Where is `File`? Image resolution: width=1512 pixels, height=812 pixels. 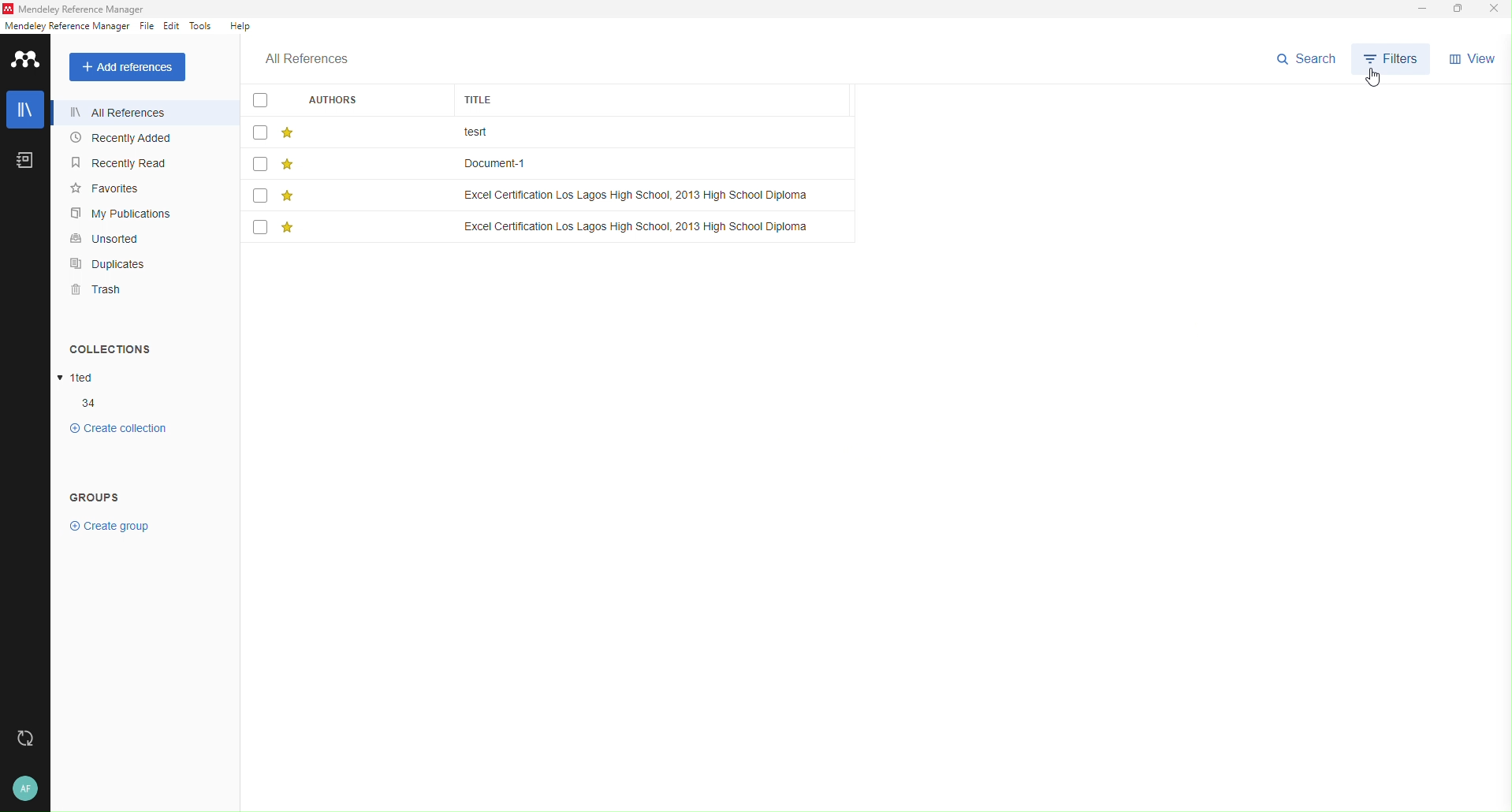 File is located at coordinates (147, 26).